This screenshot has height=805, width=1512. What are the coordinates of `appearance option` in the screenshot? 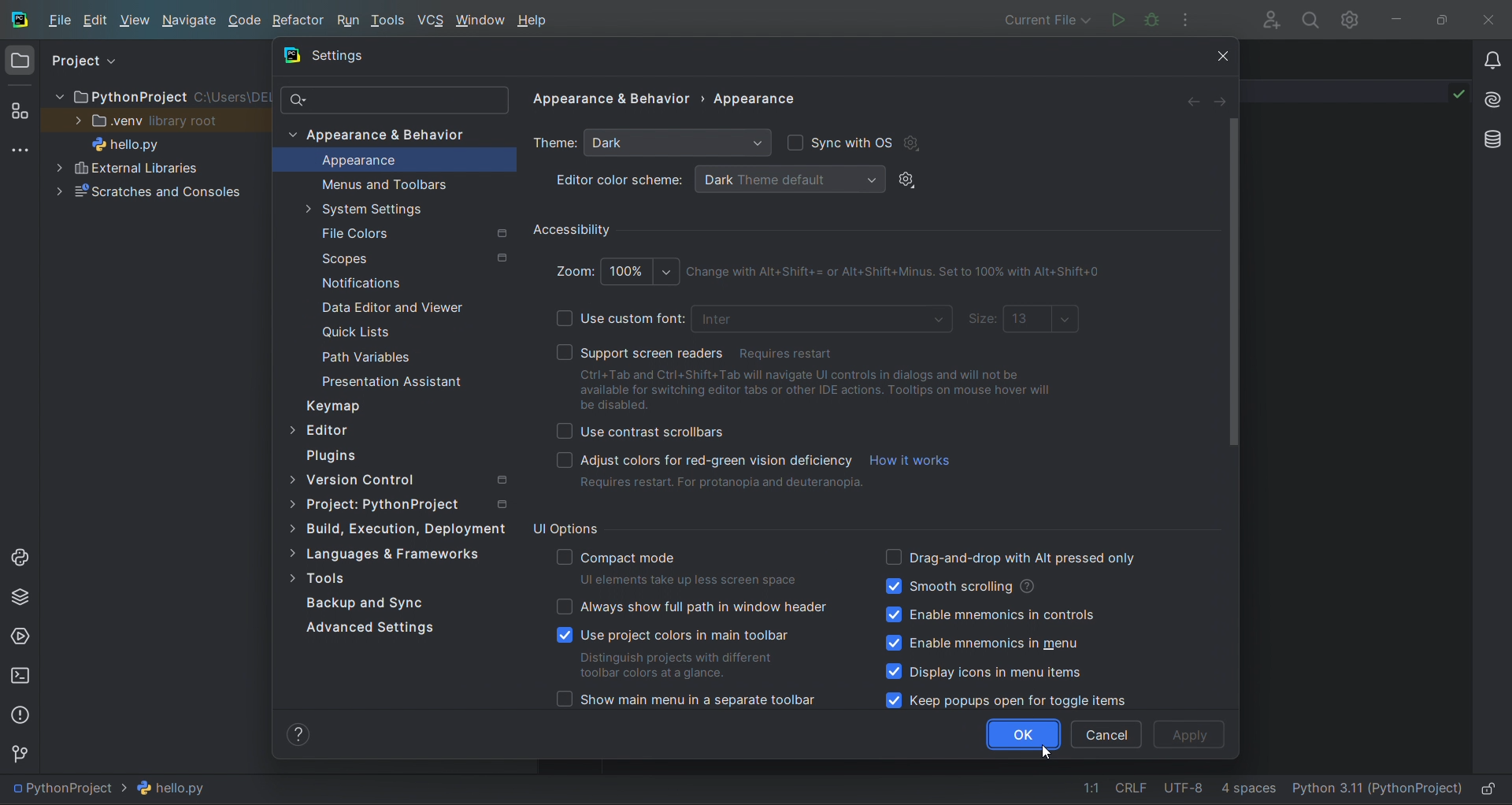 It's located at (395, 159).